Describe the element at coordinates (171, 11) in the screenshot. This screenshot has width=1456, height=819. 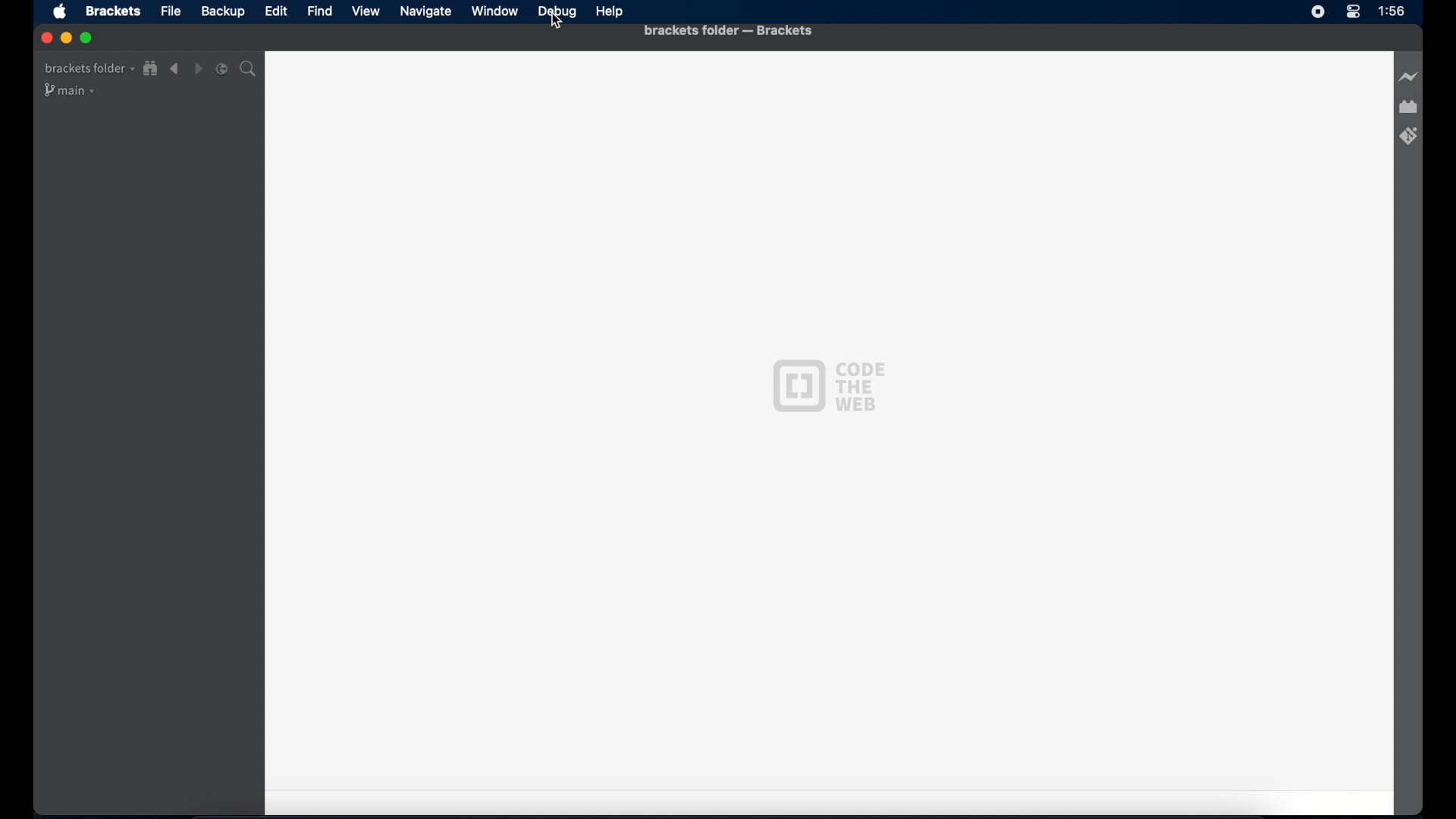
I see `file` at that location.